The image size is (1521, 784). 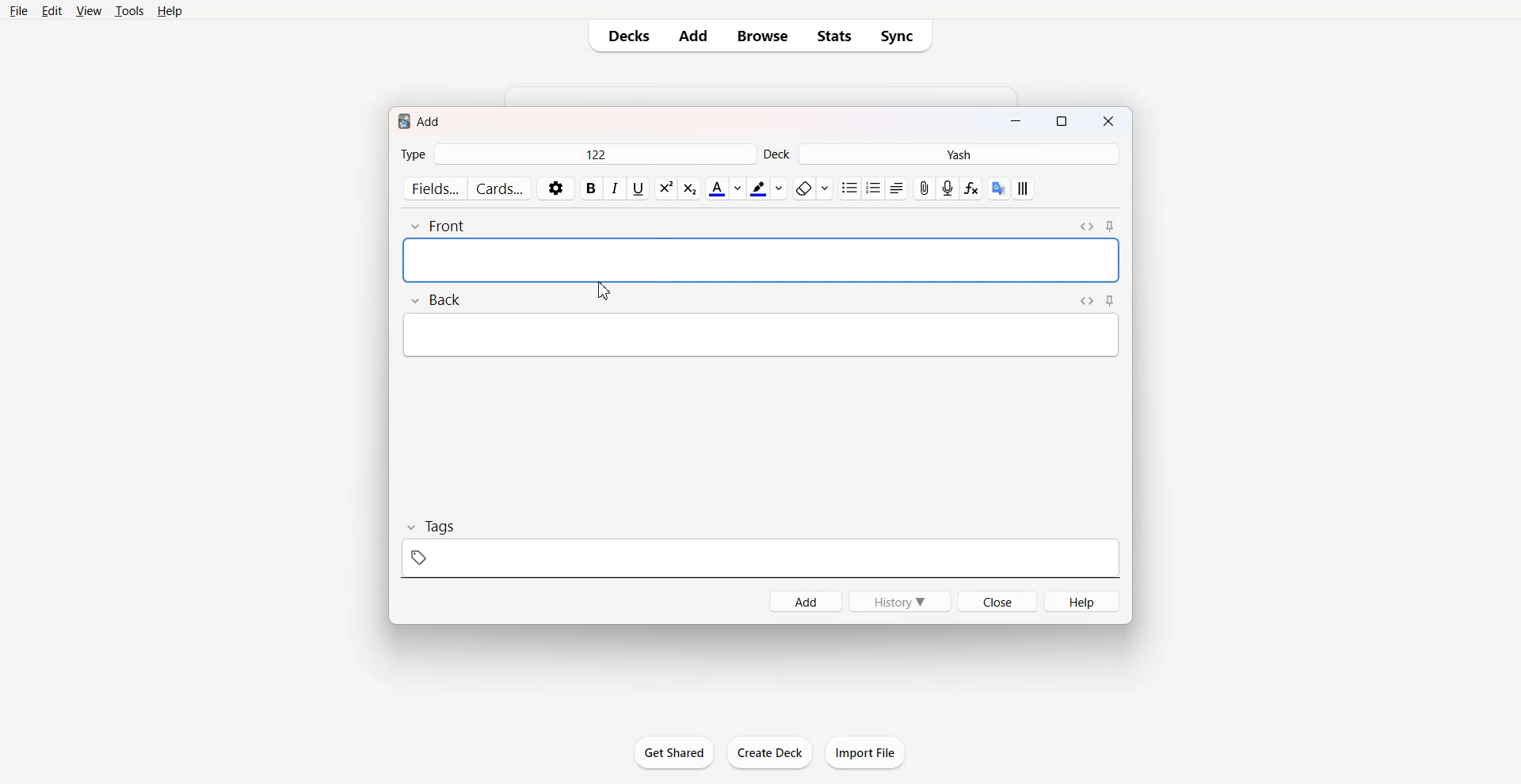 What do you see at coordinates (51, 12) in the screenshot?
I see `Edit` at bounding box center [51, 12].